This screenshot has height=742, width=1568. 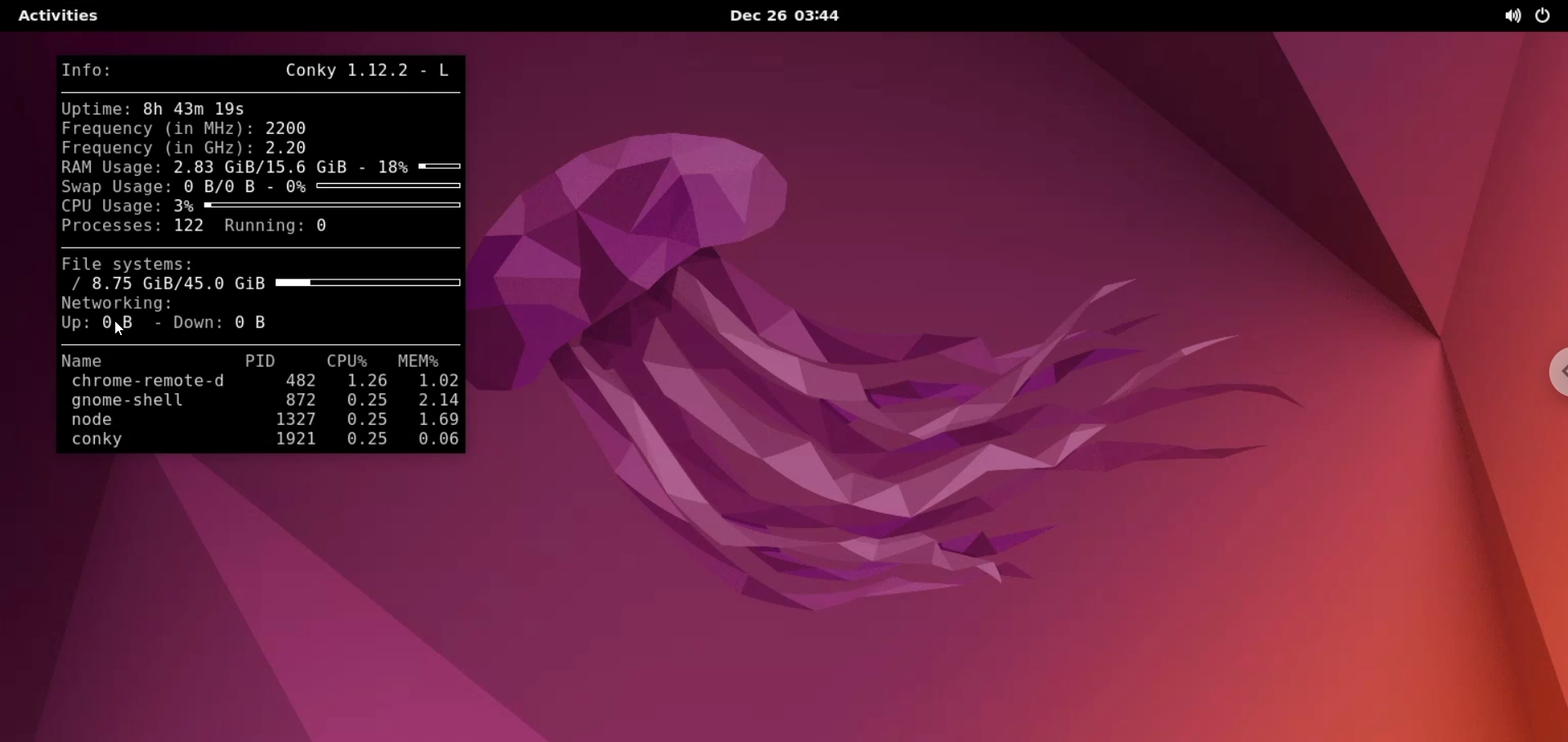 What do you see at coordinates (1510, 16) in the screenshot?
I see `sound options` at bounding box center [1510, 16].